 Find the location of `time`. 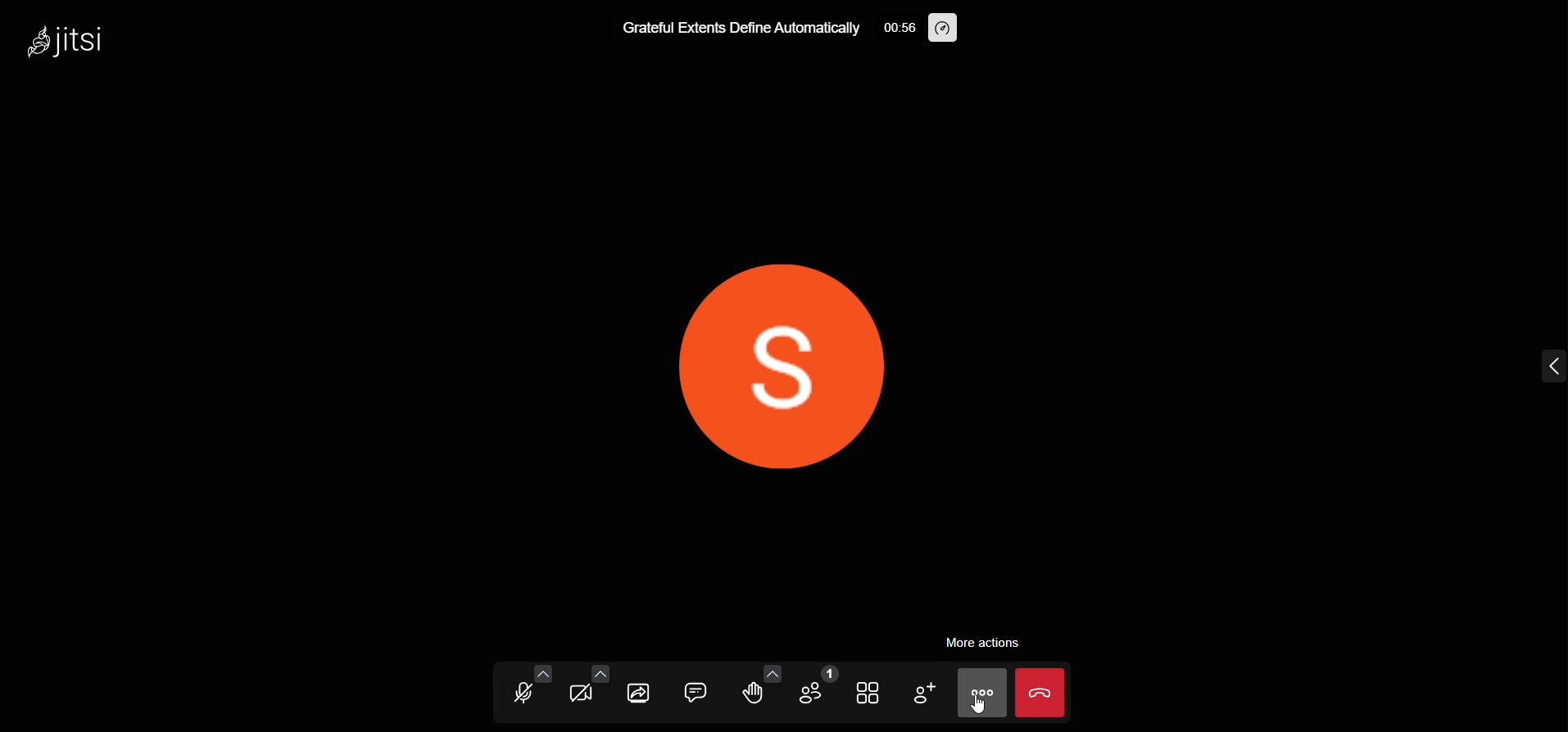

time is located at coordinates (895, 29).